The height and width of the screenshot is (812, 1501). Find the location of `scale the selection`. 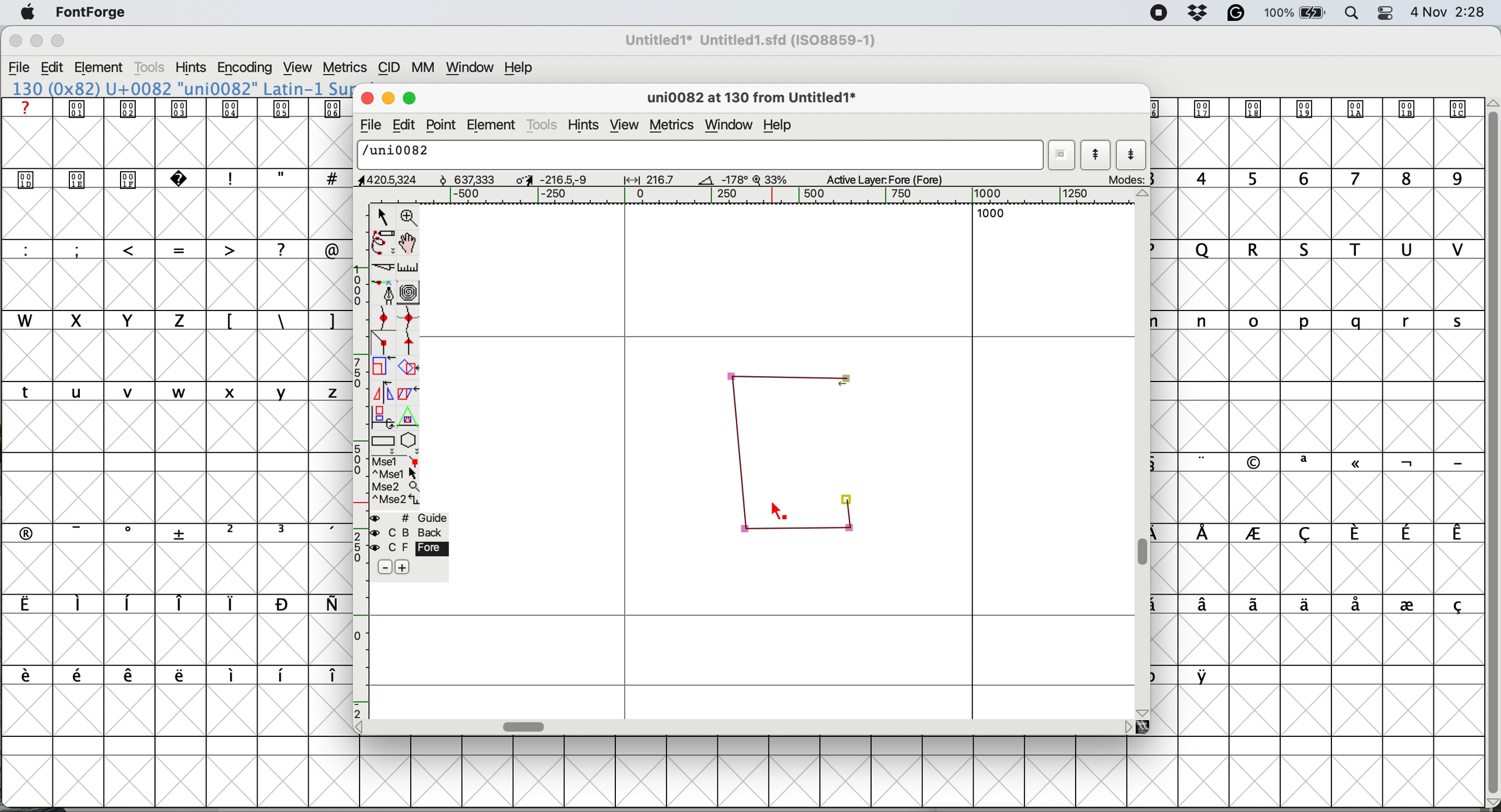

scale the selection is located at coordinates (383, 369).